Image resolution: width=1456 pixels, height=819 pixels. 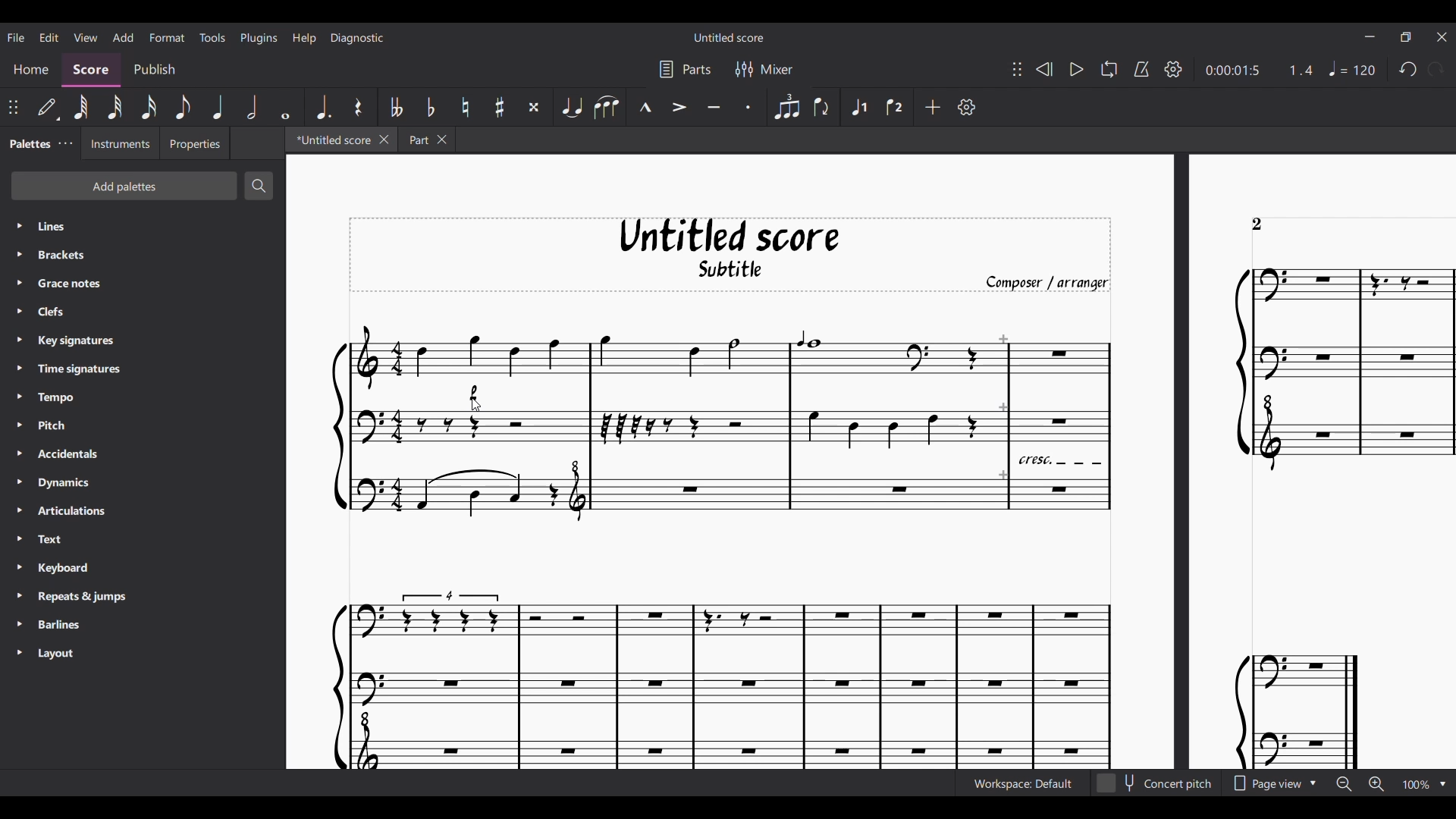 I want to click on Rest, so click(x=359, y=107).